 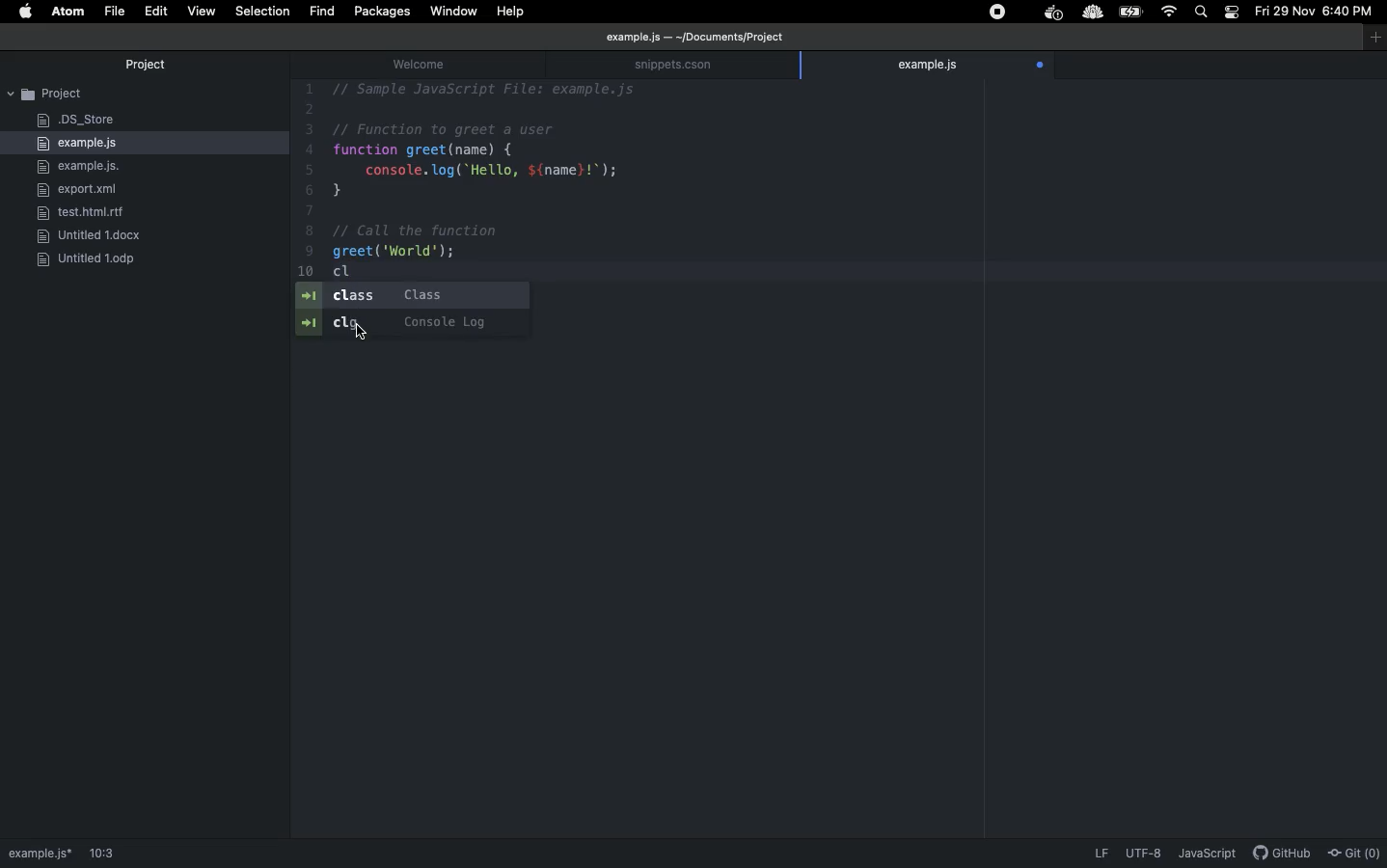 I want to click on fIND , so click(x=321, y=11).